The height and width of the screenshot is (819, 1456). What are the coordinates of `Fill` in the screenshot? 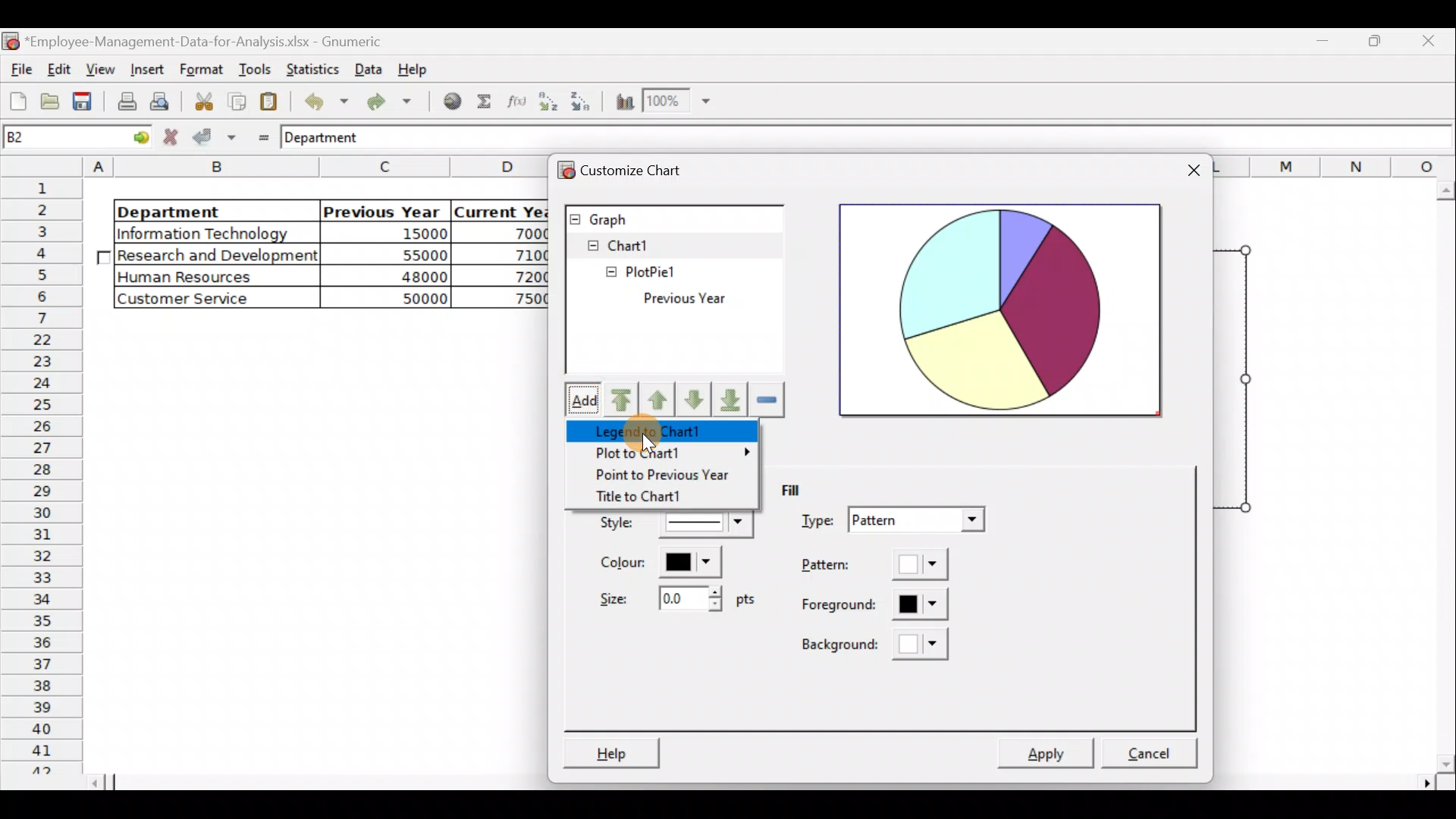 It's located at (804, 491).